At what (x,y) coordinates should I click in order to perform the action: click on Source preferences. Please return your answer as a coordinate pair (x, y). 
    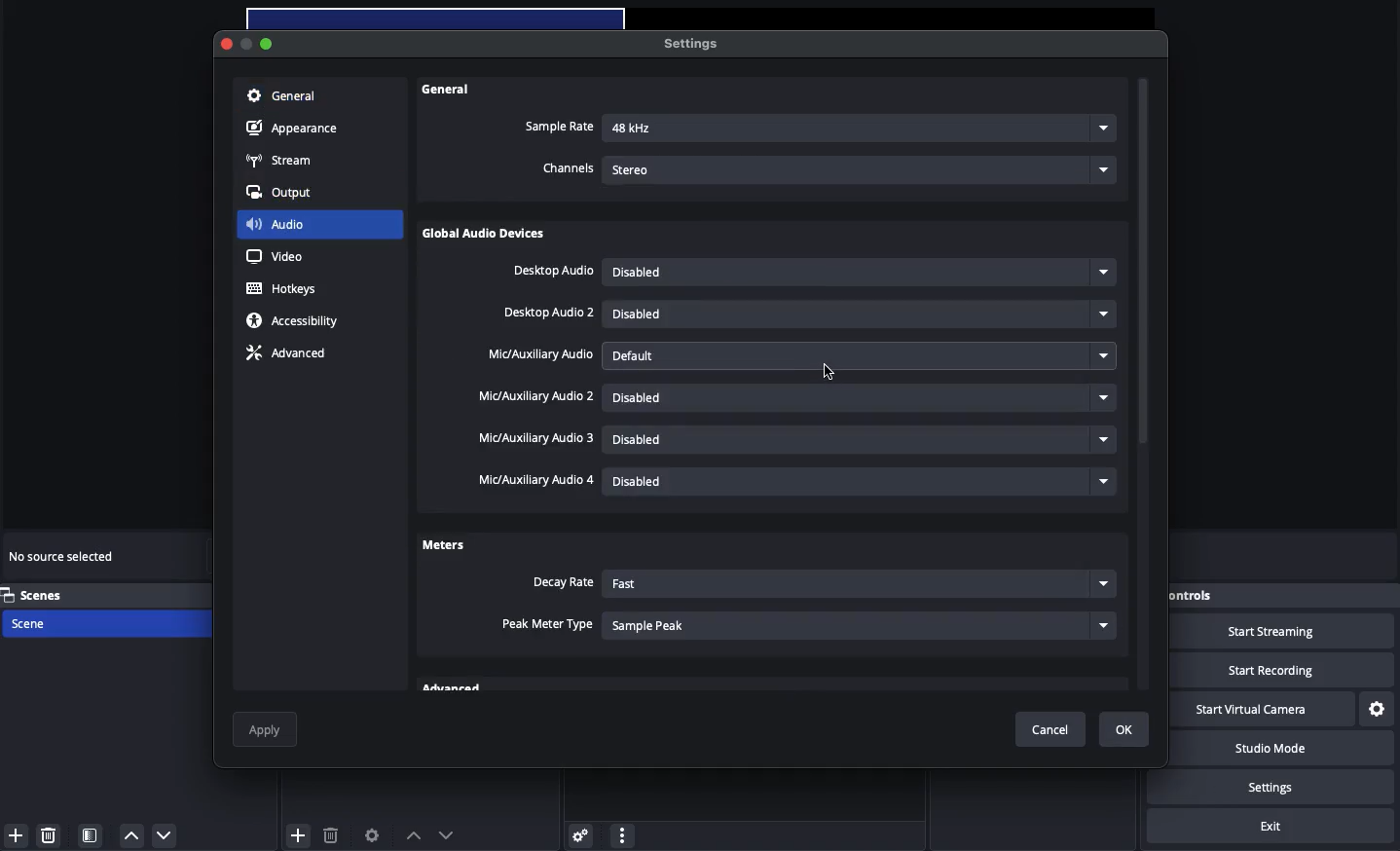
    Looking at the image, I should click on (370, 836).